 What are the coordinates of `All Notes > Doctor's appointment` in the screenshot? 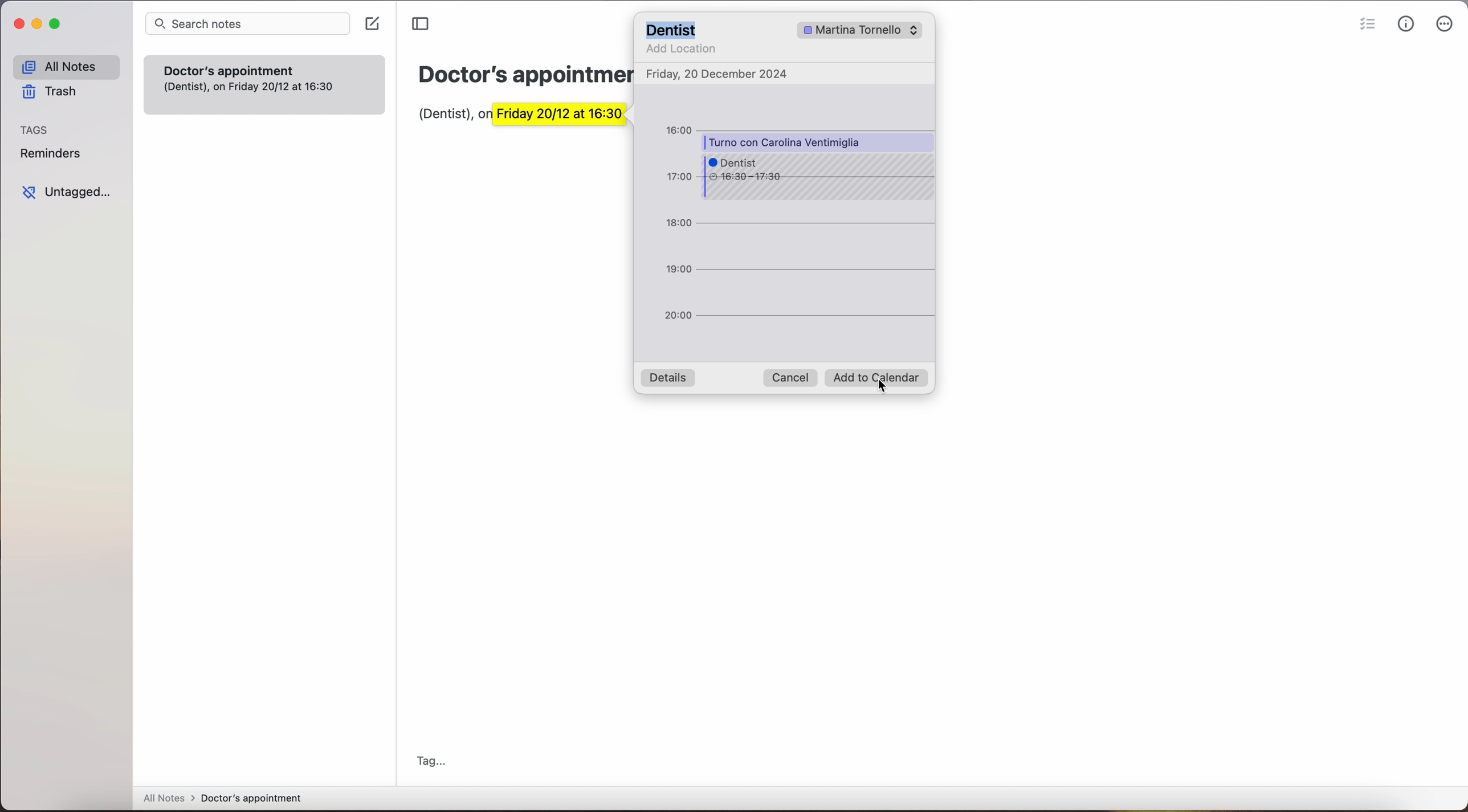 It's located at (222, 799).